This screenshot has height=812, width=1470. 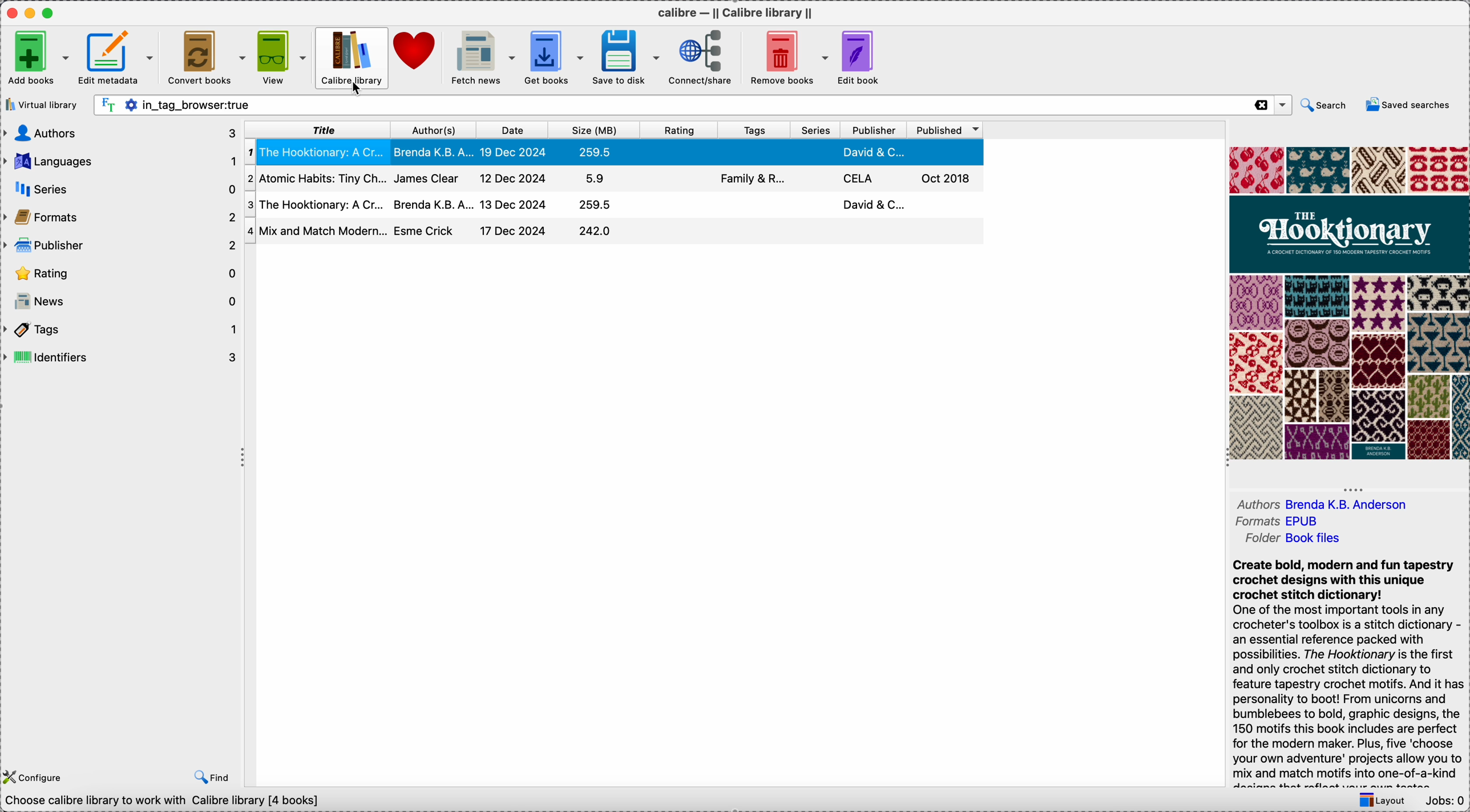 What do you see at coordinates (30, 11) in the screenshot?
I see `minimize app` at bounding box center [30, 11].